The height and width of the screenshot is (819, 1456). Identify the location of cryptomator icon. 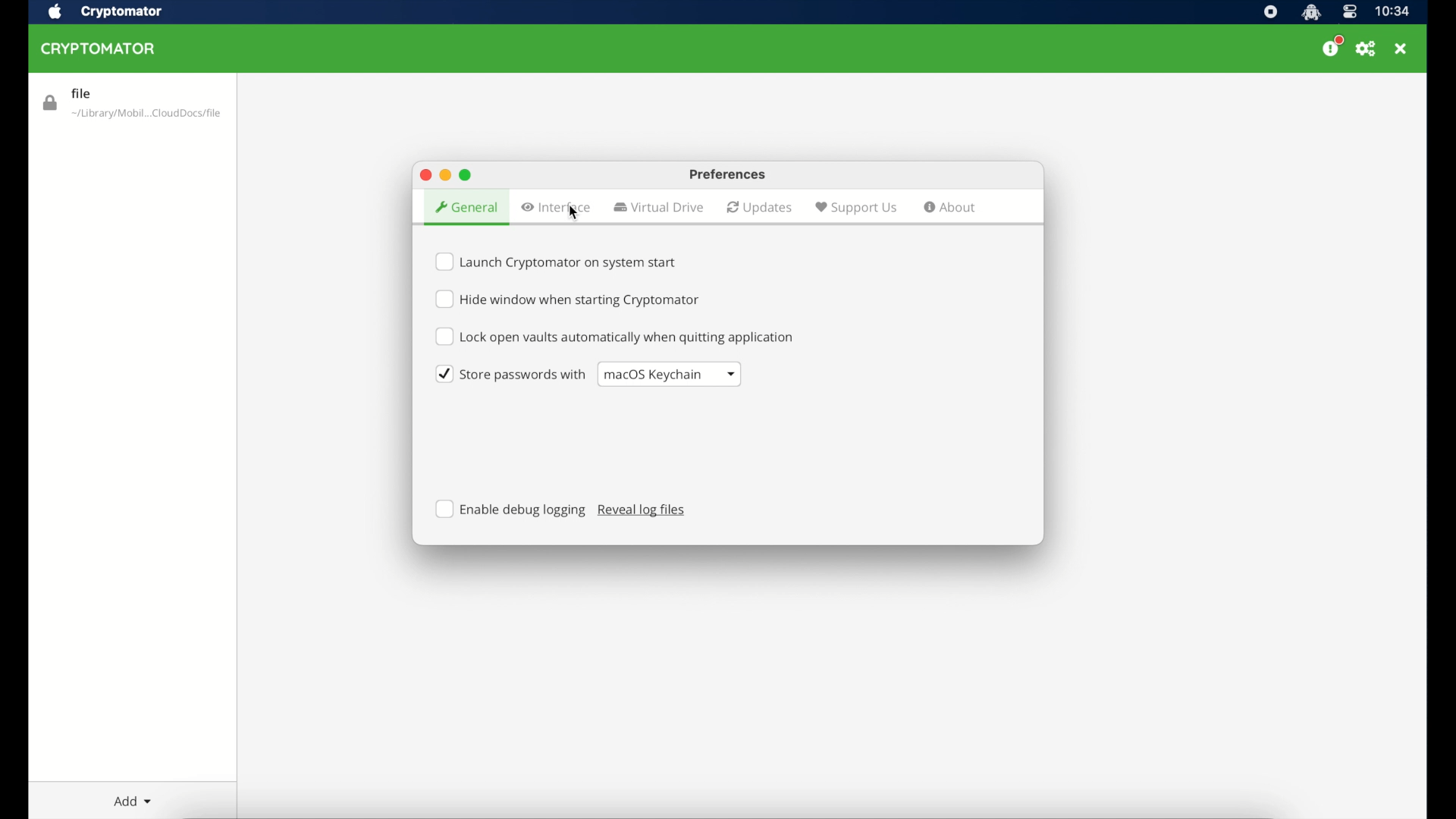
(1311, 12).